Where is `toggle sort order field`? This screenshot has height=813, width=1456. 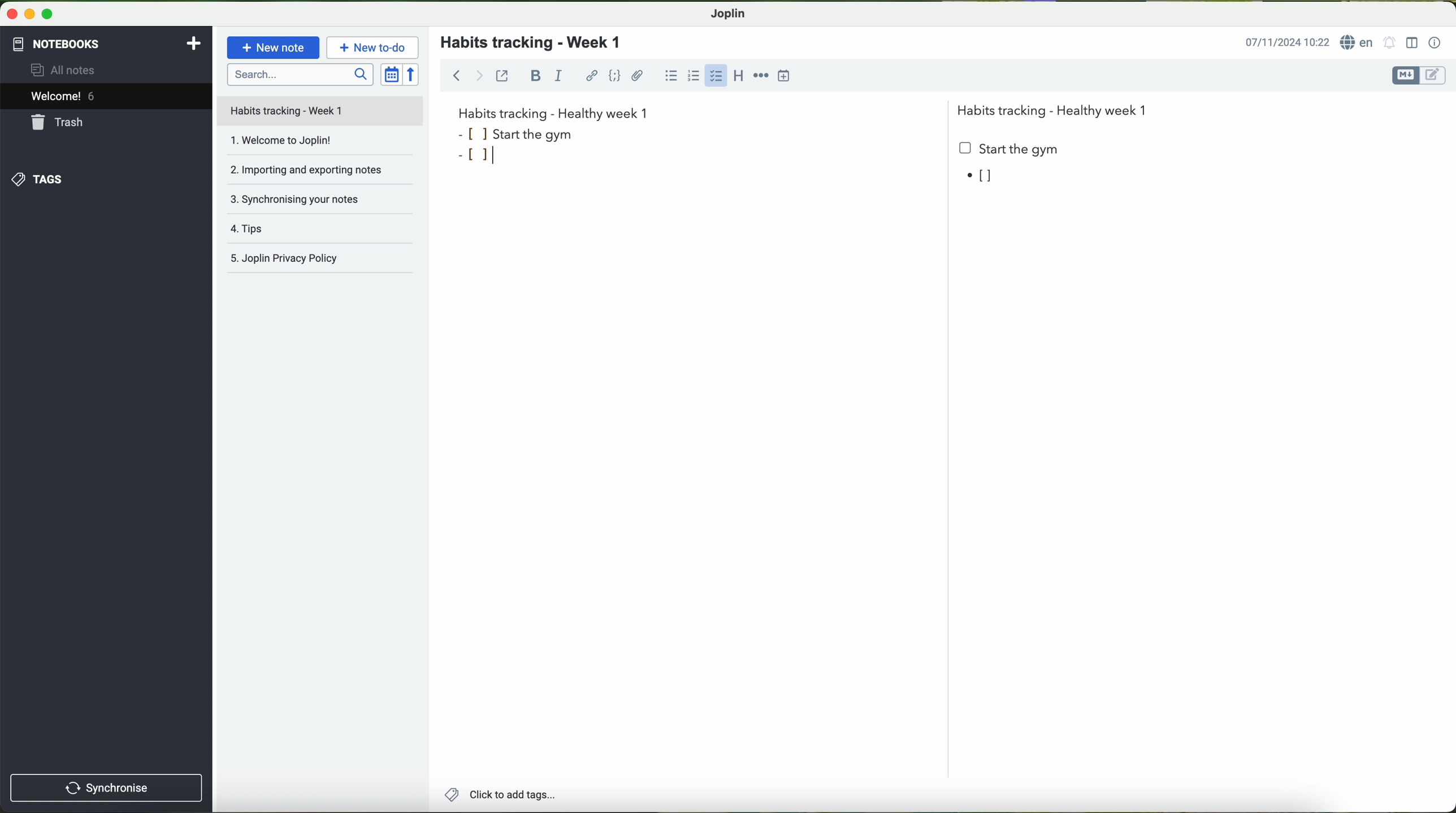
toggle sort order field is located at coordinates (391, 74).